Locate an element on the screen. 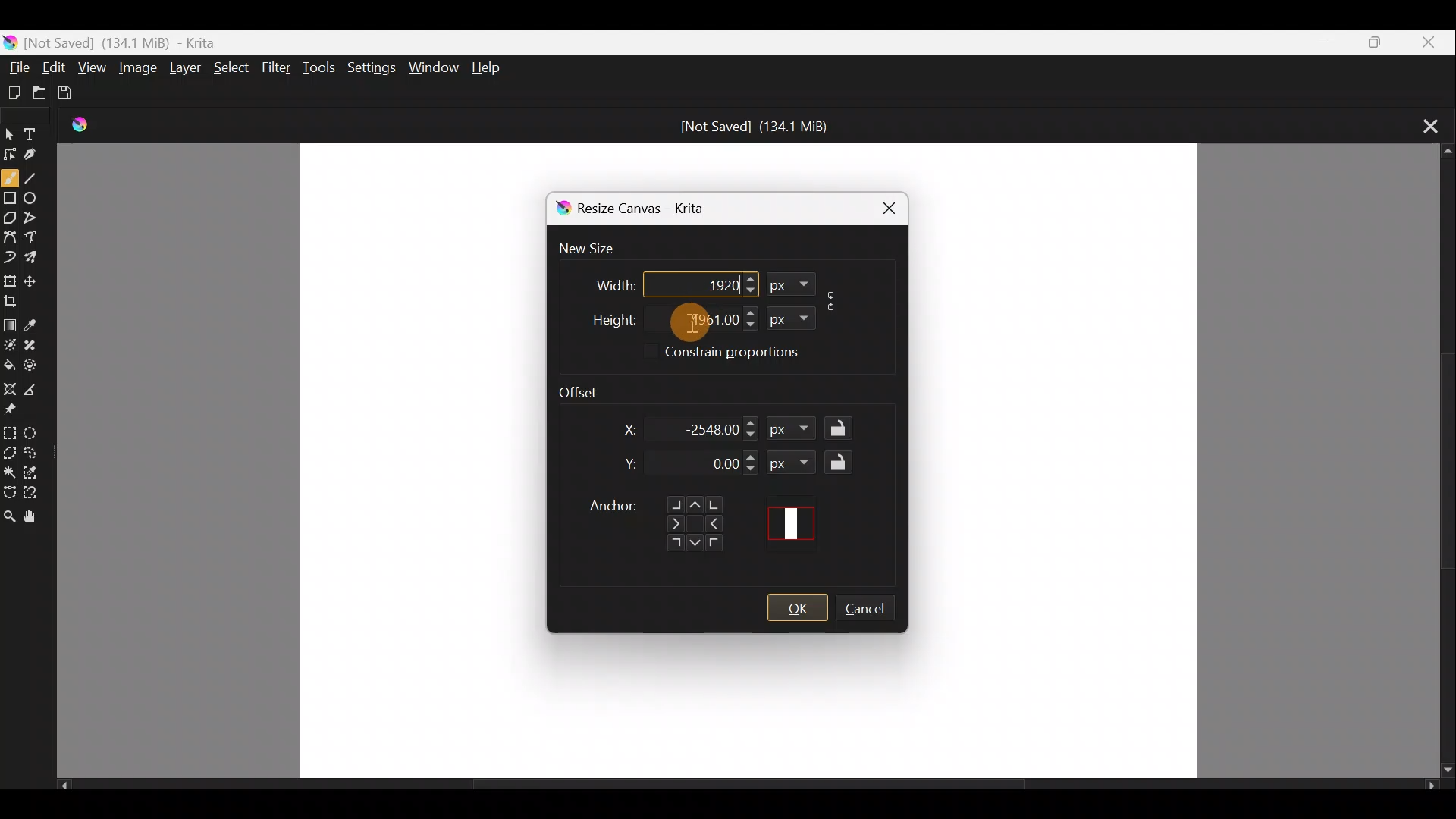 This screenshot has width=1456, height=819. Filter is located at coordinates (278, 72).